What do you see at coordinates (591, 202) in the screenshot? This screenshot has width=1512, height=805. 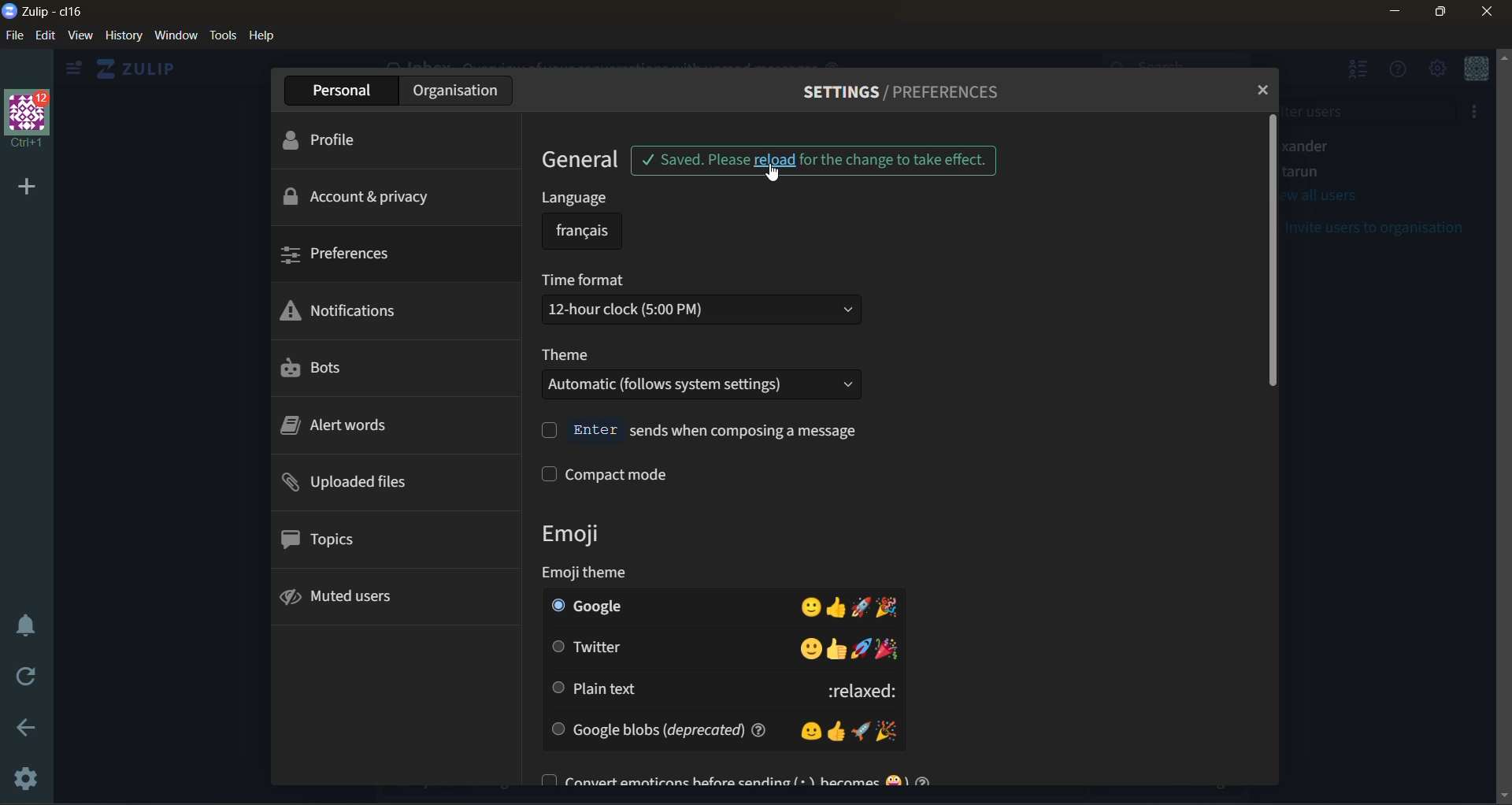 I see `language` at bounding box center [591, 202].